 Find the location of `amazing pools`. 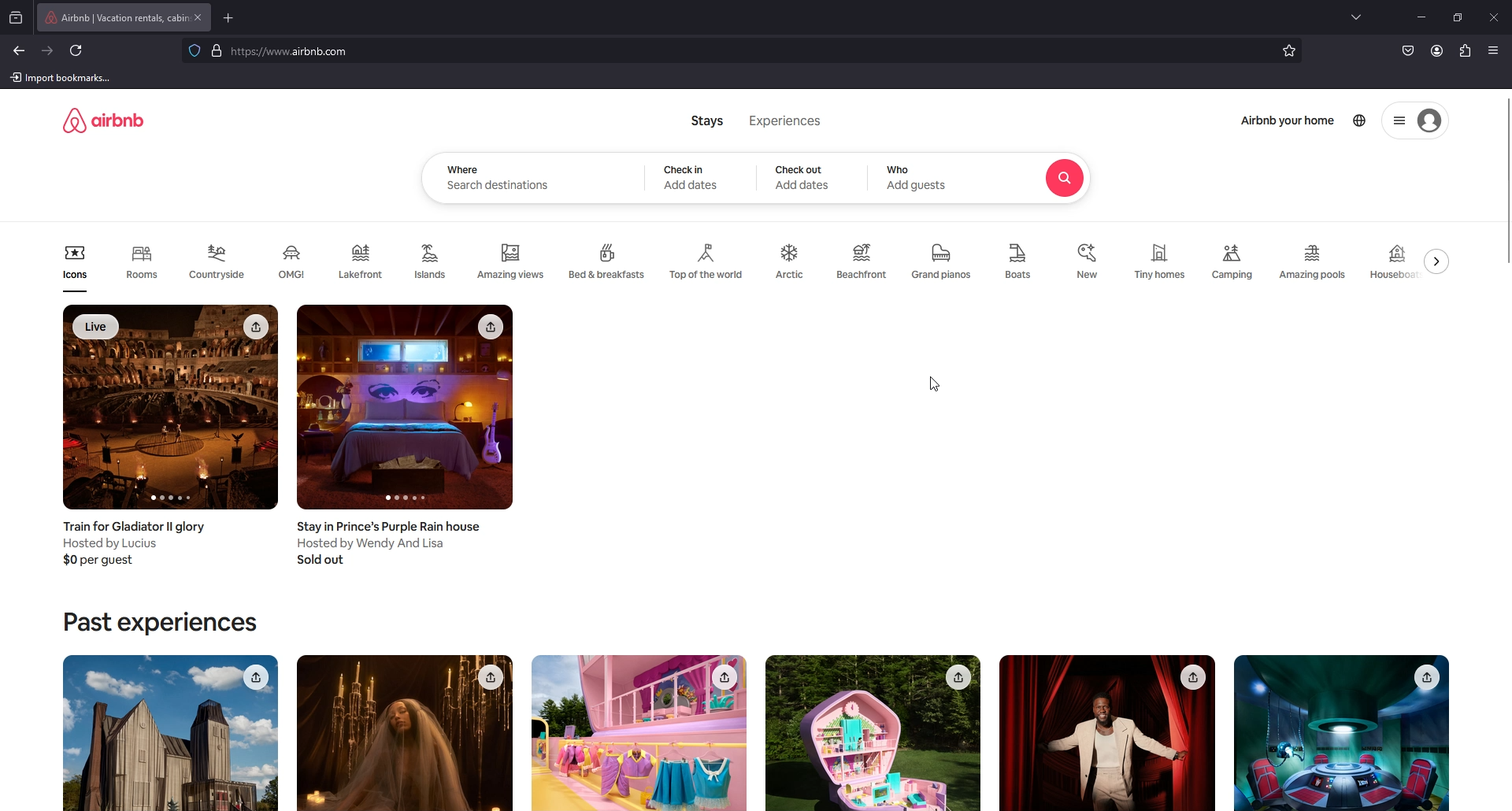

amazing pools is located at coordinates (1315, 262).